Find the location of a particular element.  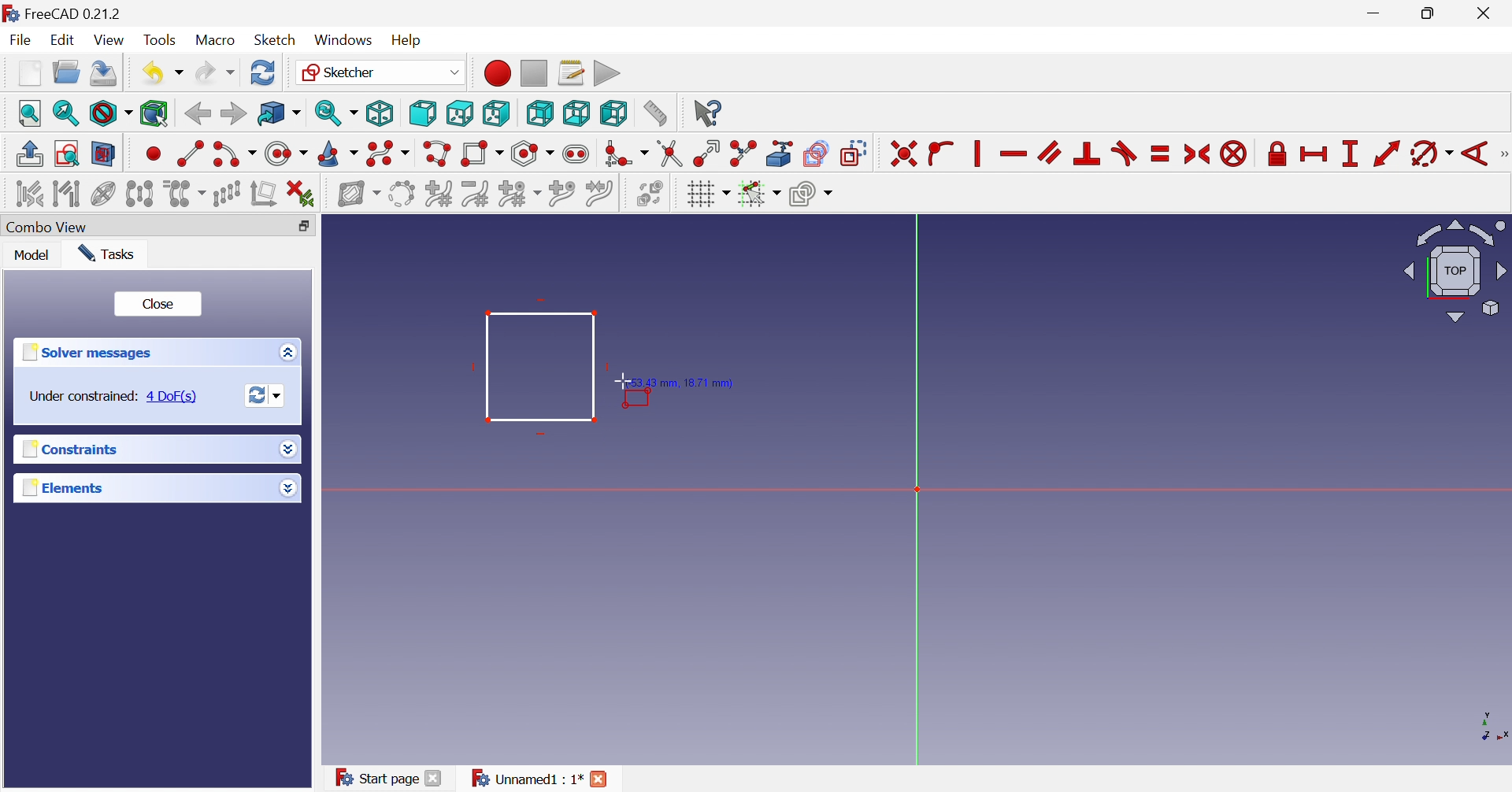

Create conic is located at coordinates (339, 155).